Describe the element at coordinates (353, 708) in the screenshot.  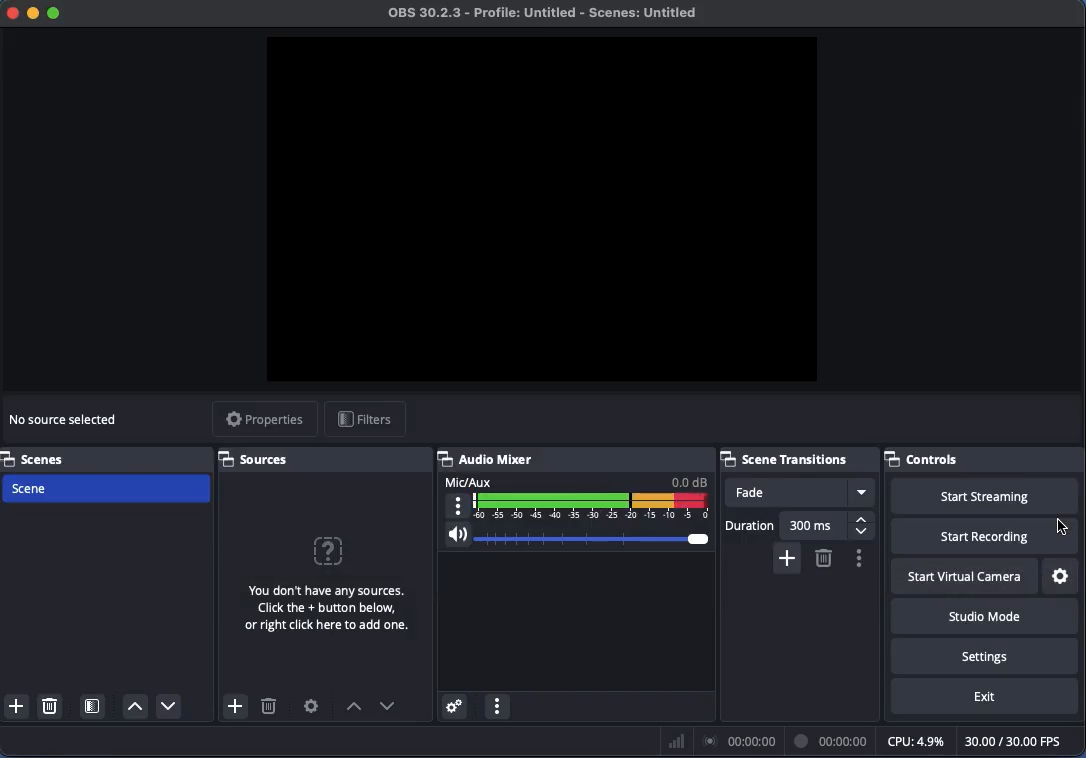
I see `Move up` at that location.